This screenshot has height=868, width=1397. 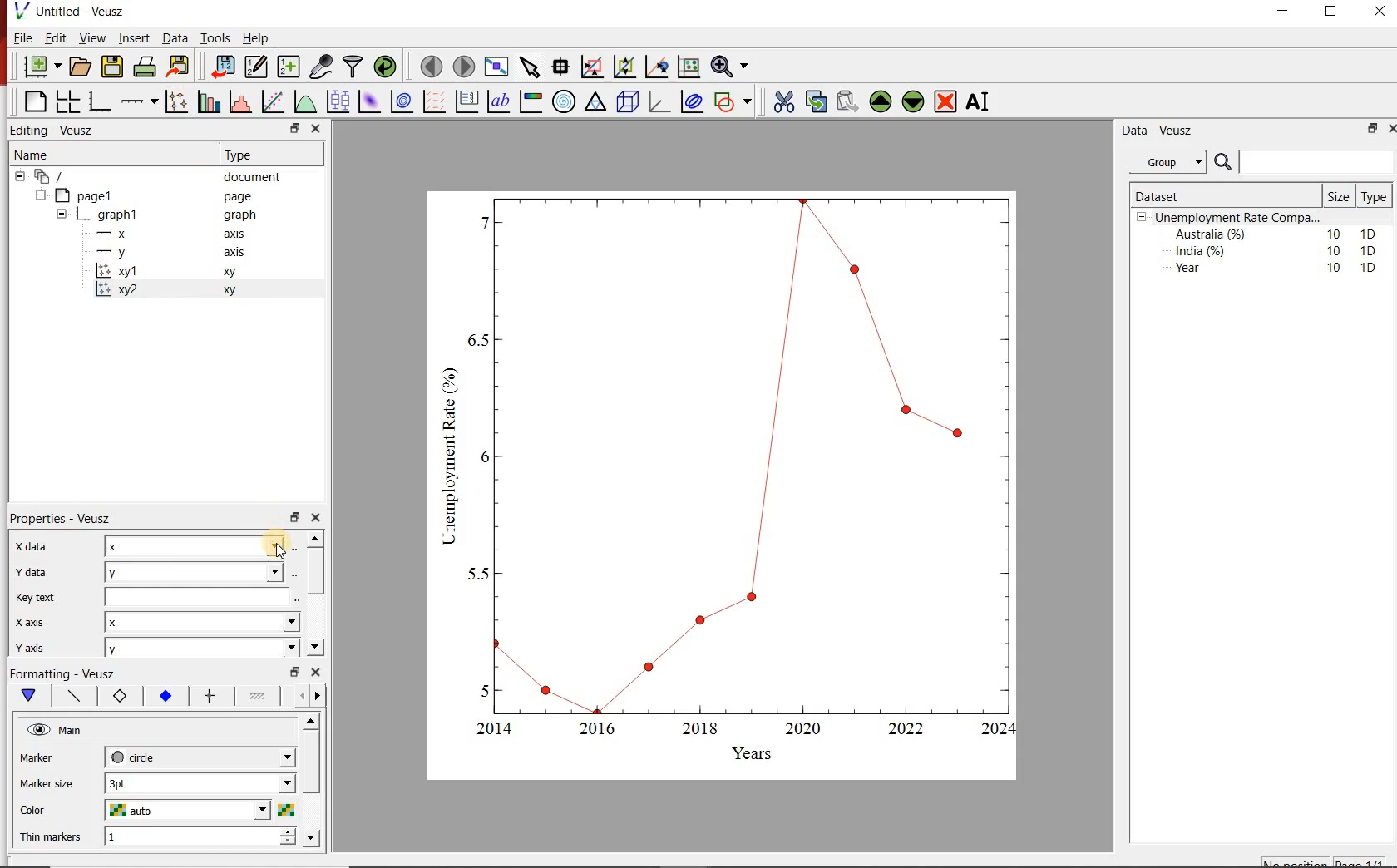 What do you see at coordinates (723, 486) in the screenshot?
I see `graph chart` at bounding box center [723, 486].